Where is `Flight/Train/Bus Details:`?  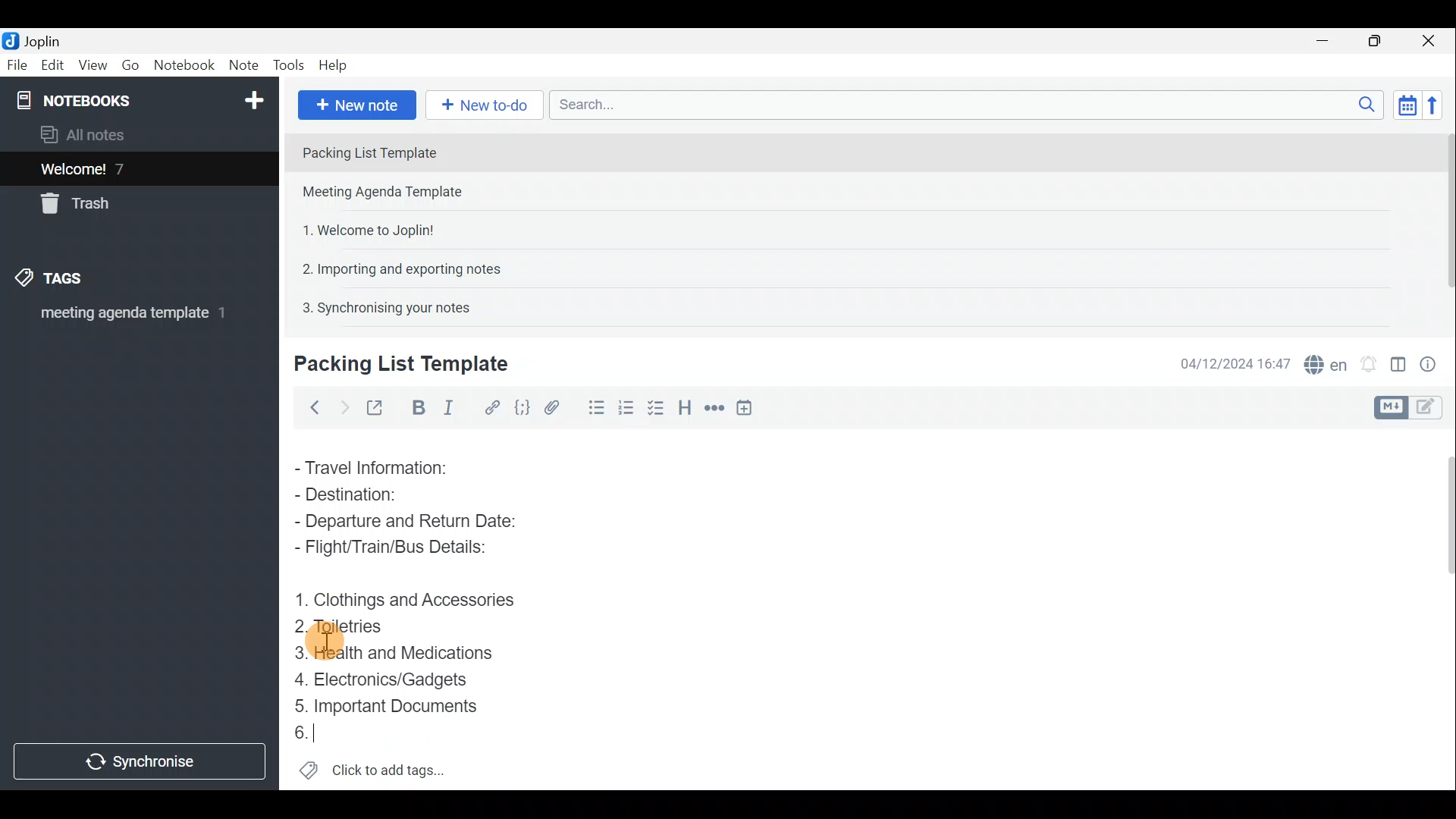 Flight/Train/Bus Details: is located at coordinates (406, 551).